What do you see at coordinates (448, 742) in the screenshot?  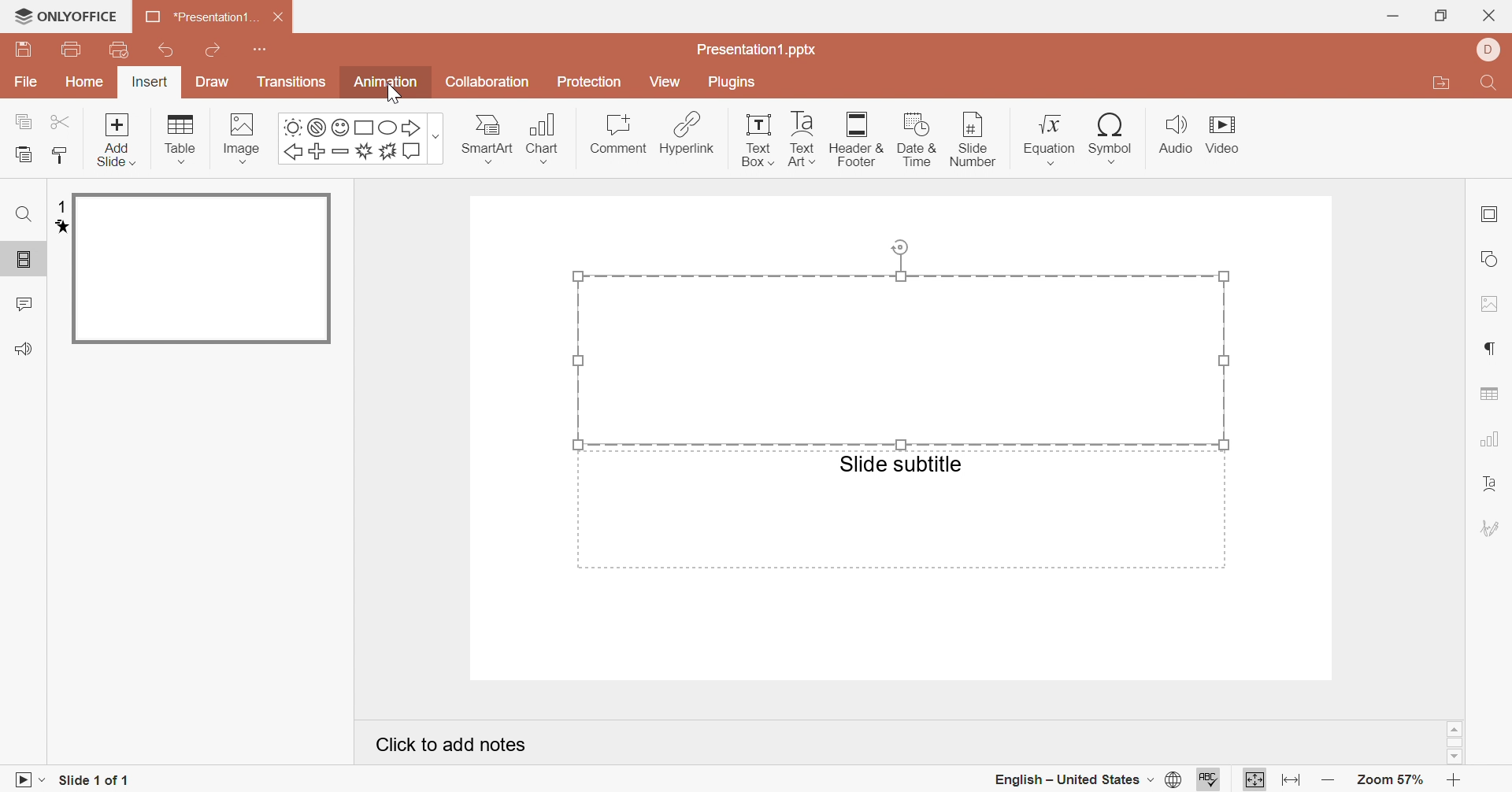 I see `click to add notes` at bounding box center [448, 742].